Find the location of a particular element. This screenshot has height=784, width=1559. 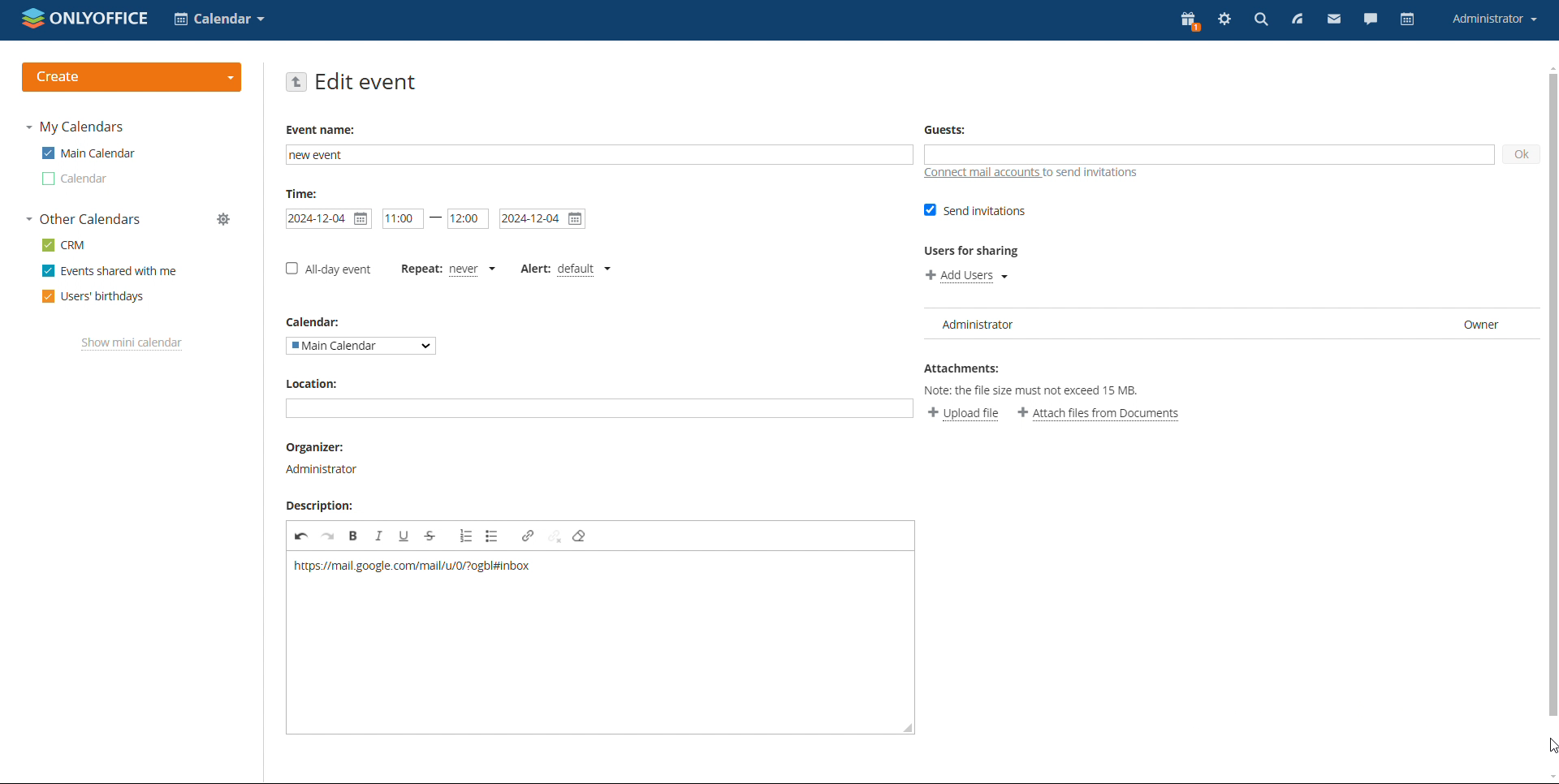

add name is located at coordinates (599, 155).